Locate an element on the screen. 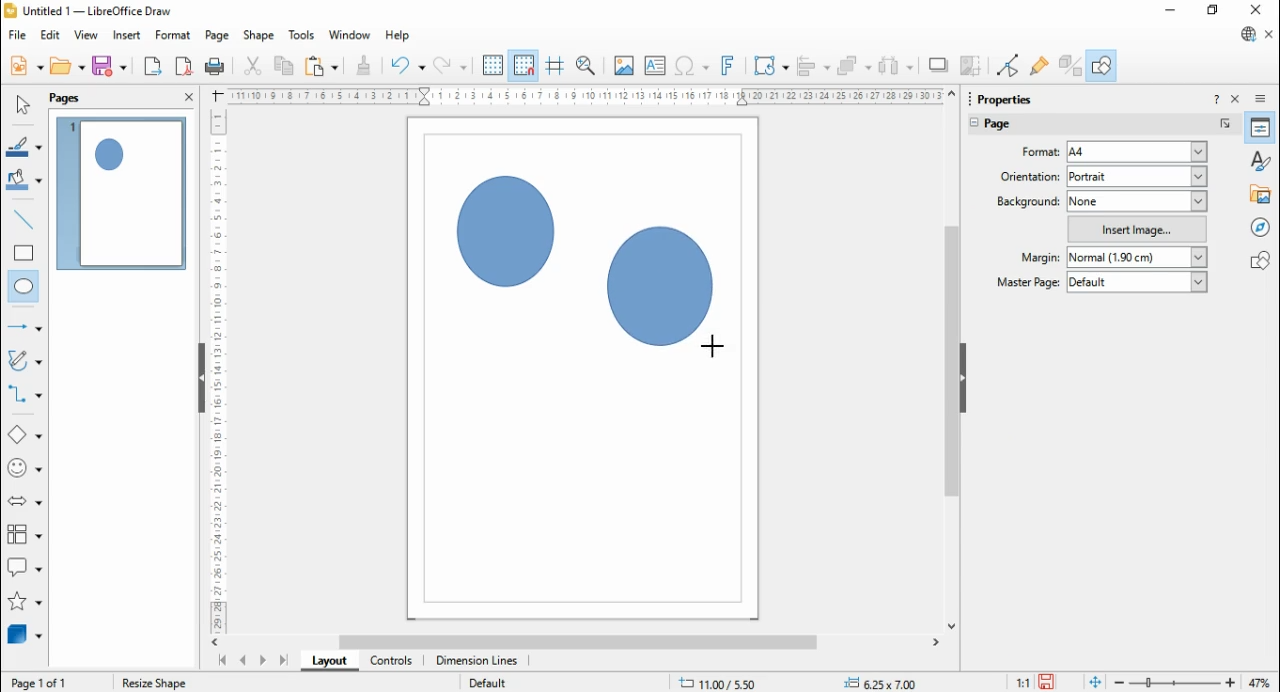  layout is located at coordinates (328, 660).